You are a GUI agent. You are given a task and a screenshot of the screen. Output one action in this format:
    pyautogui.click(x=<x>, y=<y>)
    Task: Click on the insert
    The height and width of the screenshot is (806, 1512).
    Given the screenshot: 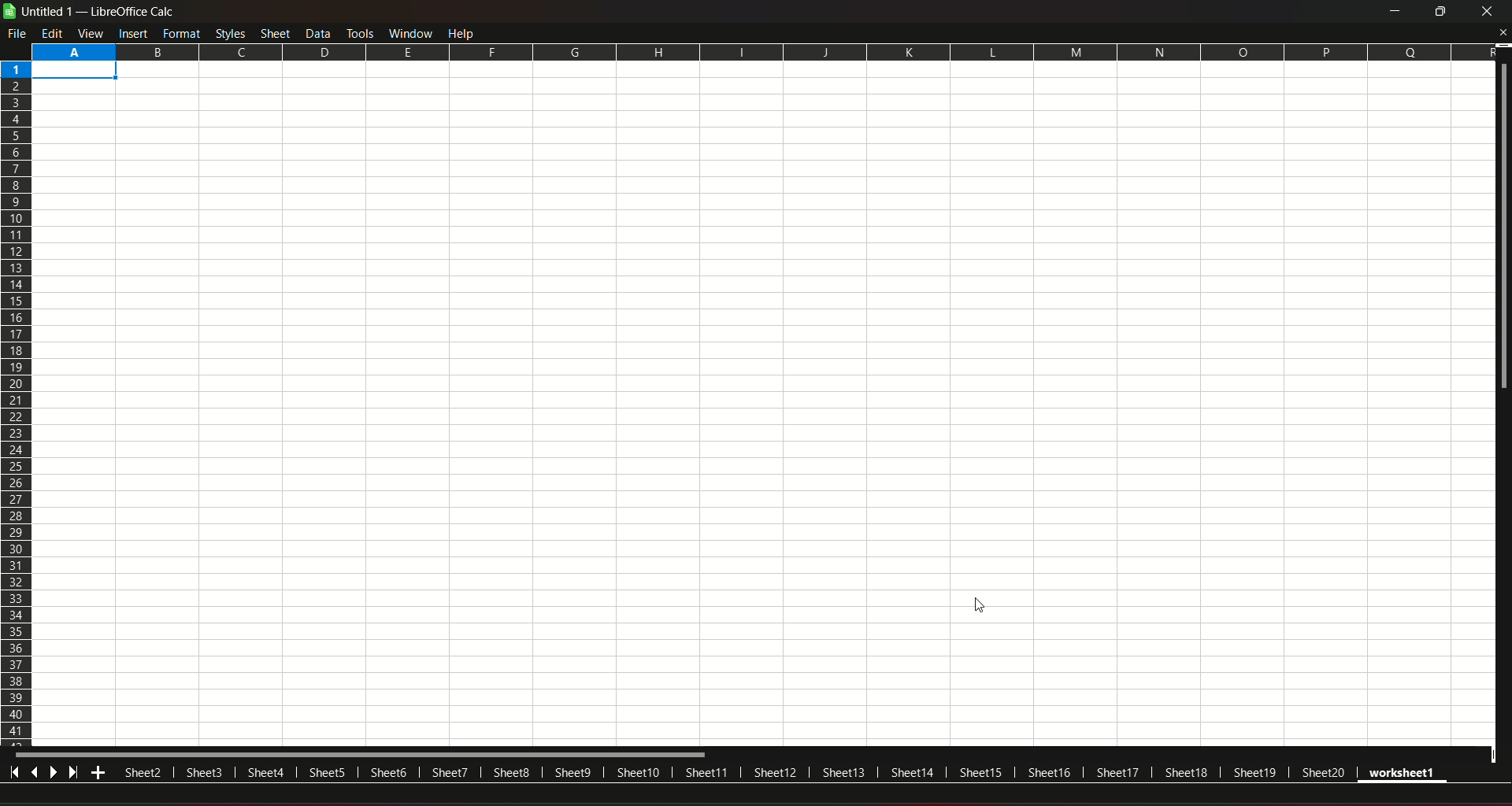 What is the action you would take?
    pyautogui.click(x=132, y=33)
    